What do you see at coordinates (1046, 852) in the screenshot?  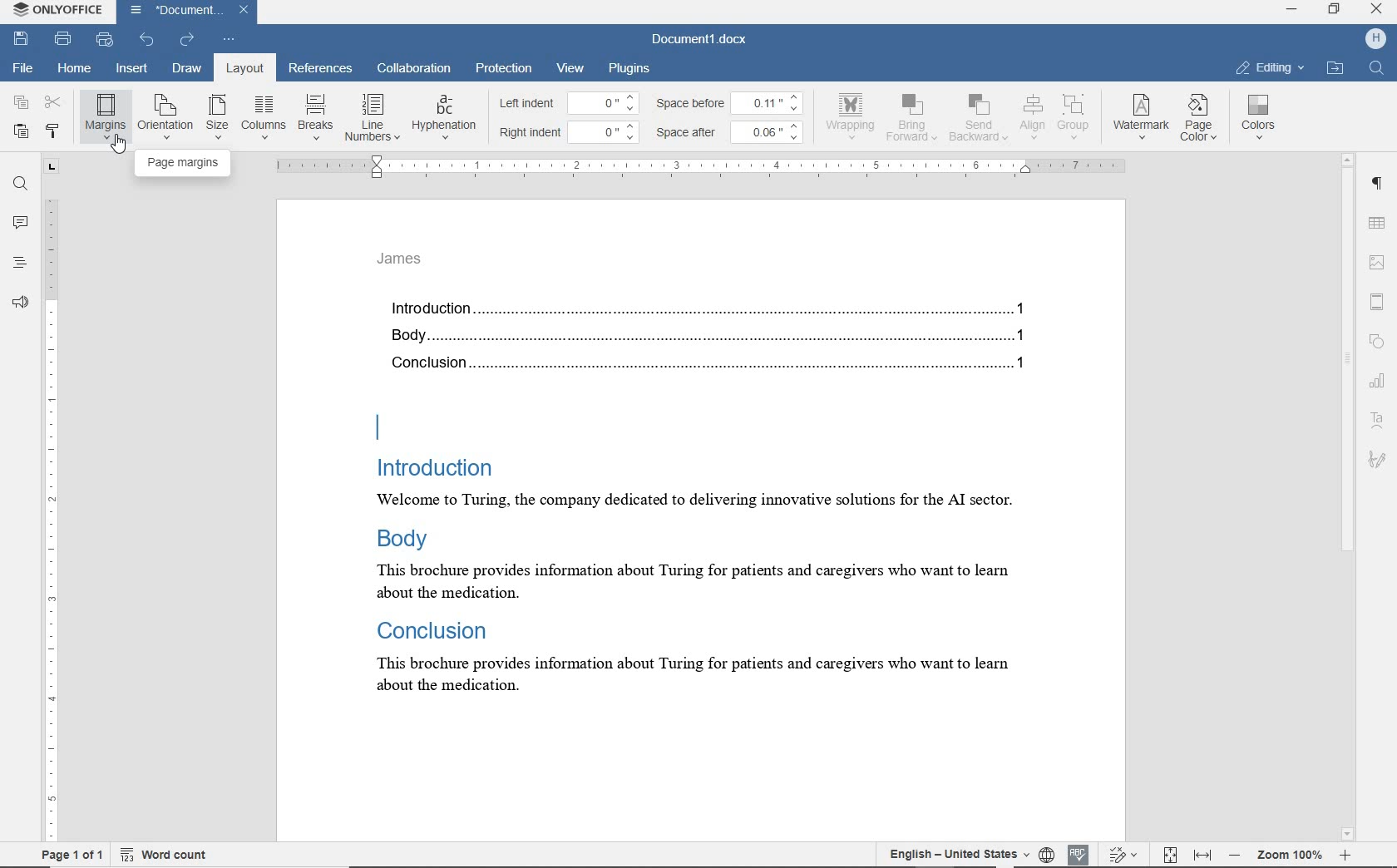 I see `set document language` at bounding box center [1046, 852].